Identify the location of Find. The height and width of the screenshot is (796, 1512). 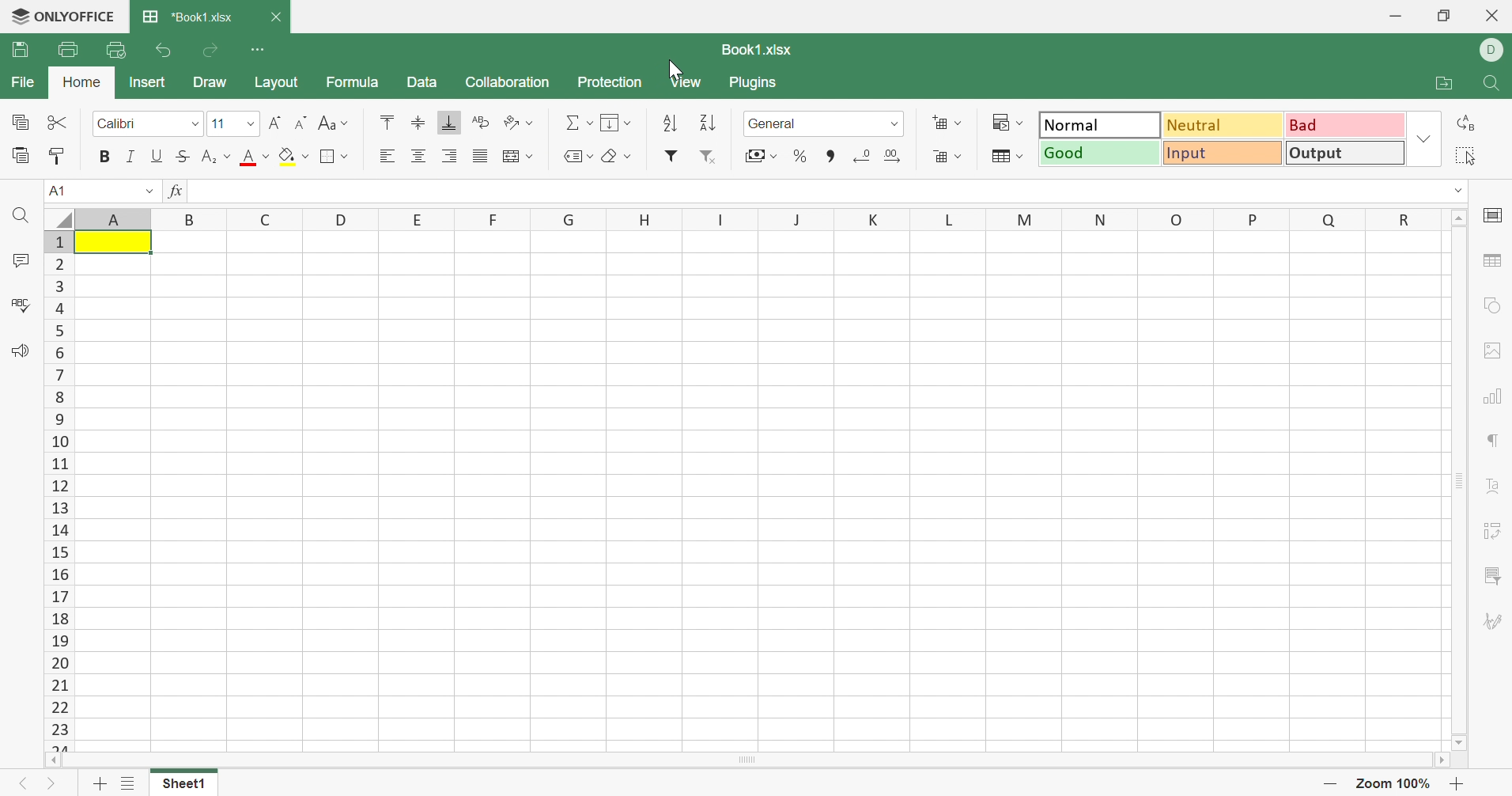
(1495, 84).